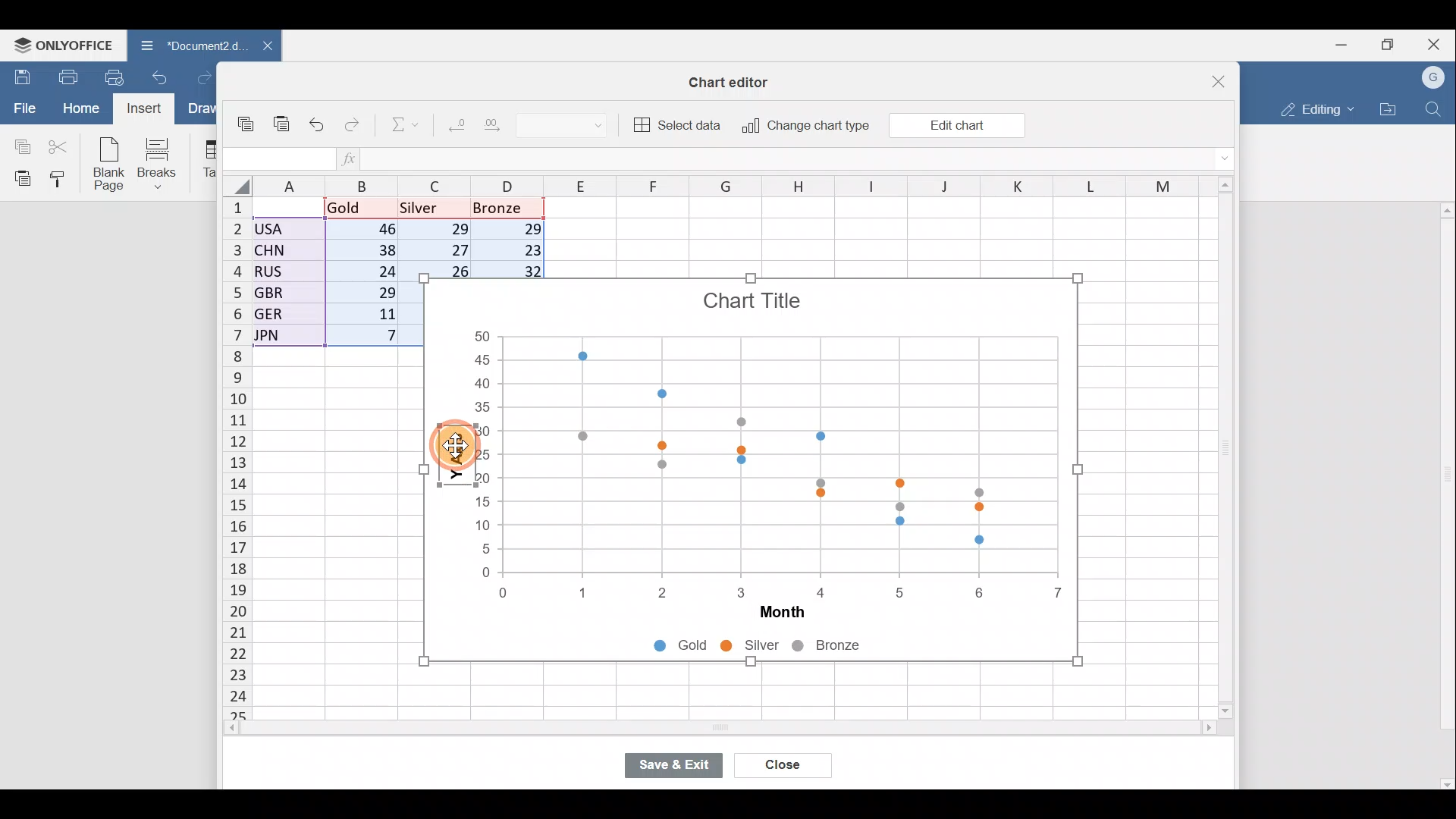 The image size is (1456, 819). What do you see at coordinates (21, 108) in the screenshot?
I see `File` at bounding box center [21, 108].